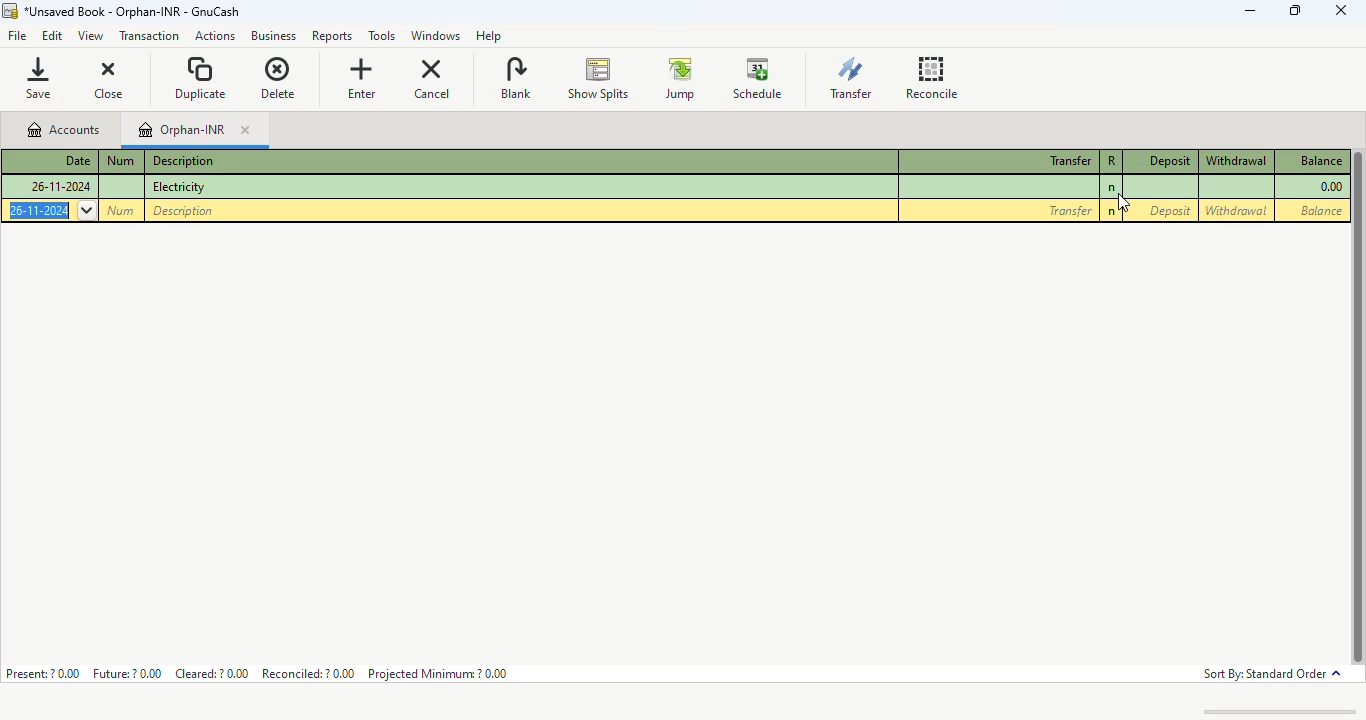 The height and width of the screenshot is (720, 1366). Describe the element at coordinates (1112, 213) in the screenshot. I see `not cleared` at that location.